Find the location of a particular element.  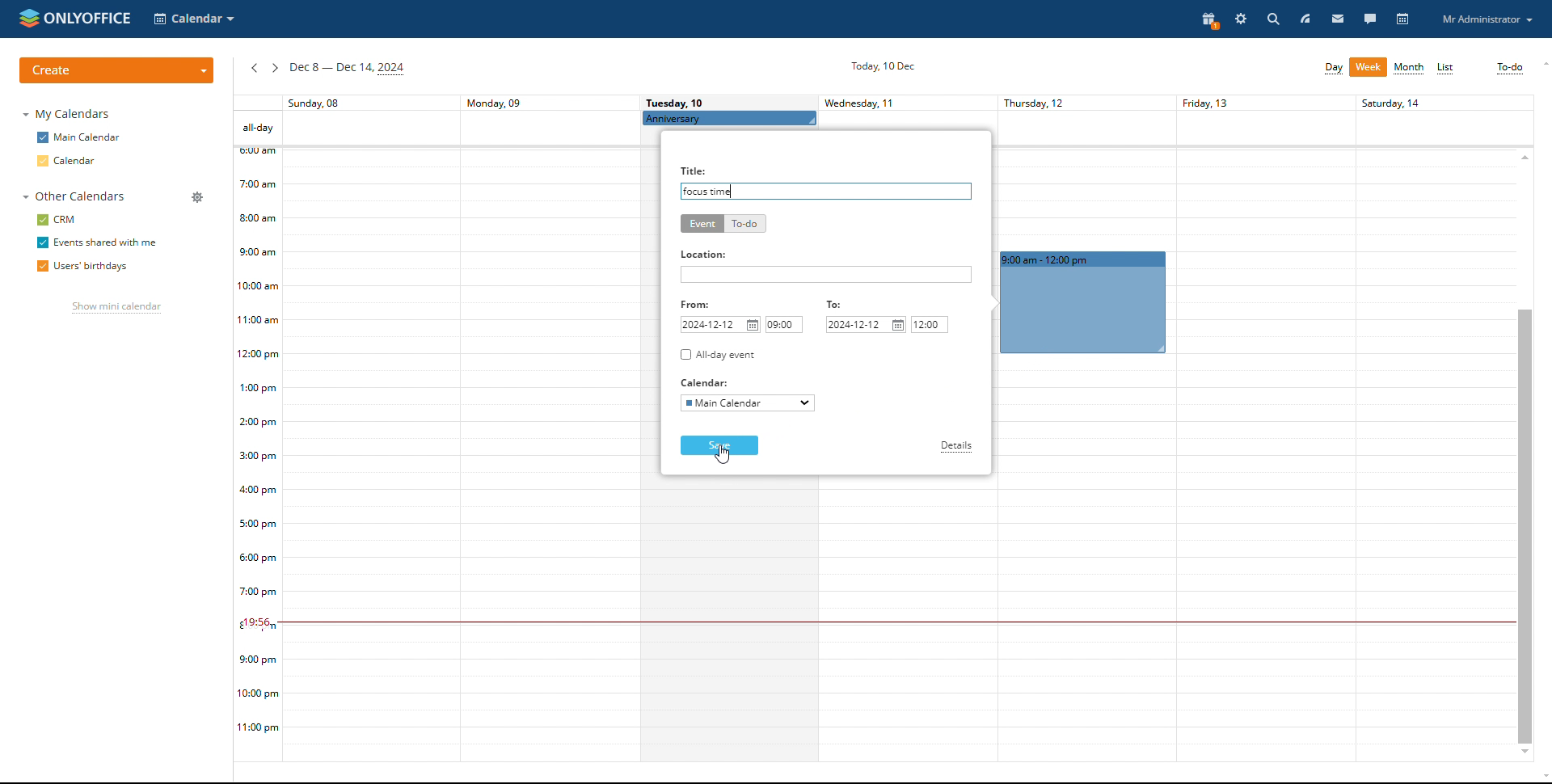

scroll down is located at coordinates (1542, 778).